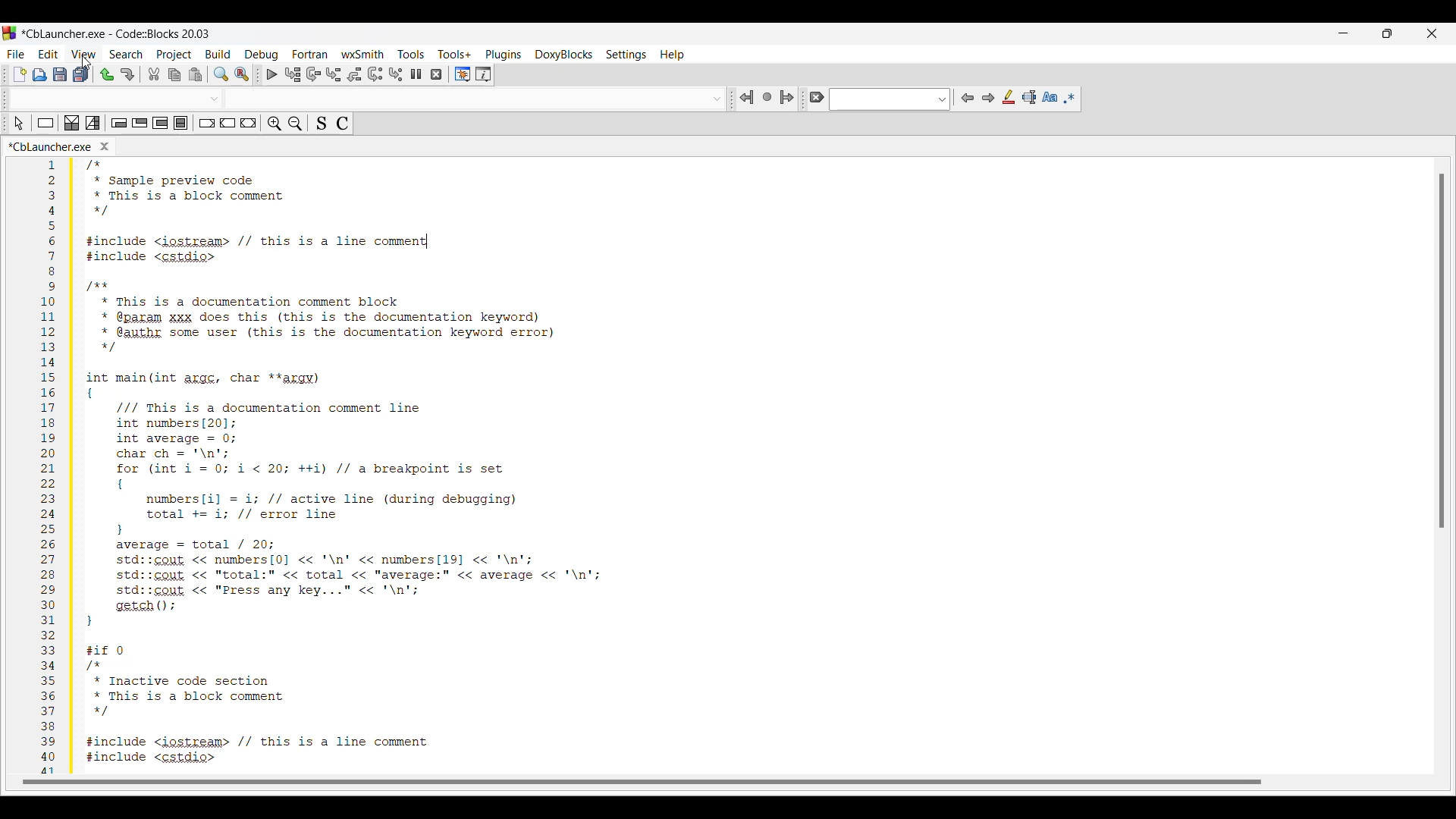 Image resolution: width=1456 pixels, height=819 pixels. Describe the element at coordinates (396, 74) in the screenshot. I see `Step into instruction` at that location.